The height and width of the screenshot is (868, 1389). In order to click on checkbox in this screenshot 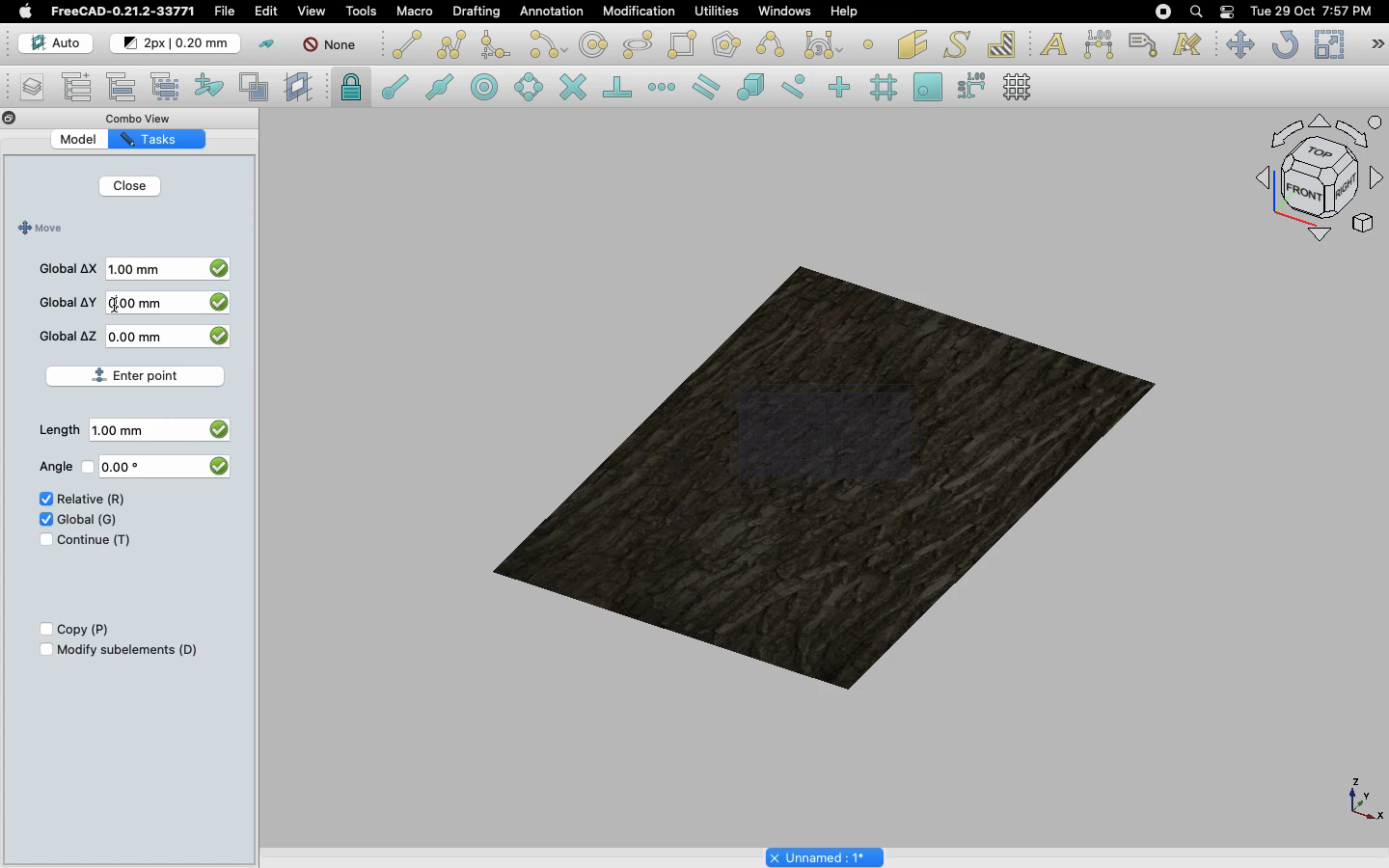, I will do `click(218, 305)`.